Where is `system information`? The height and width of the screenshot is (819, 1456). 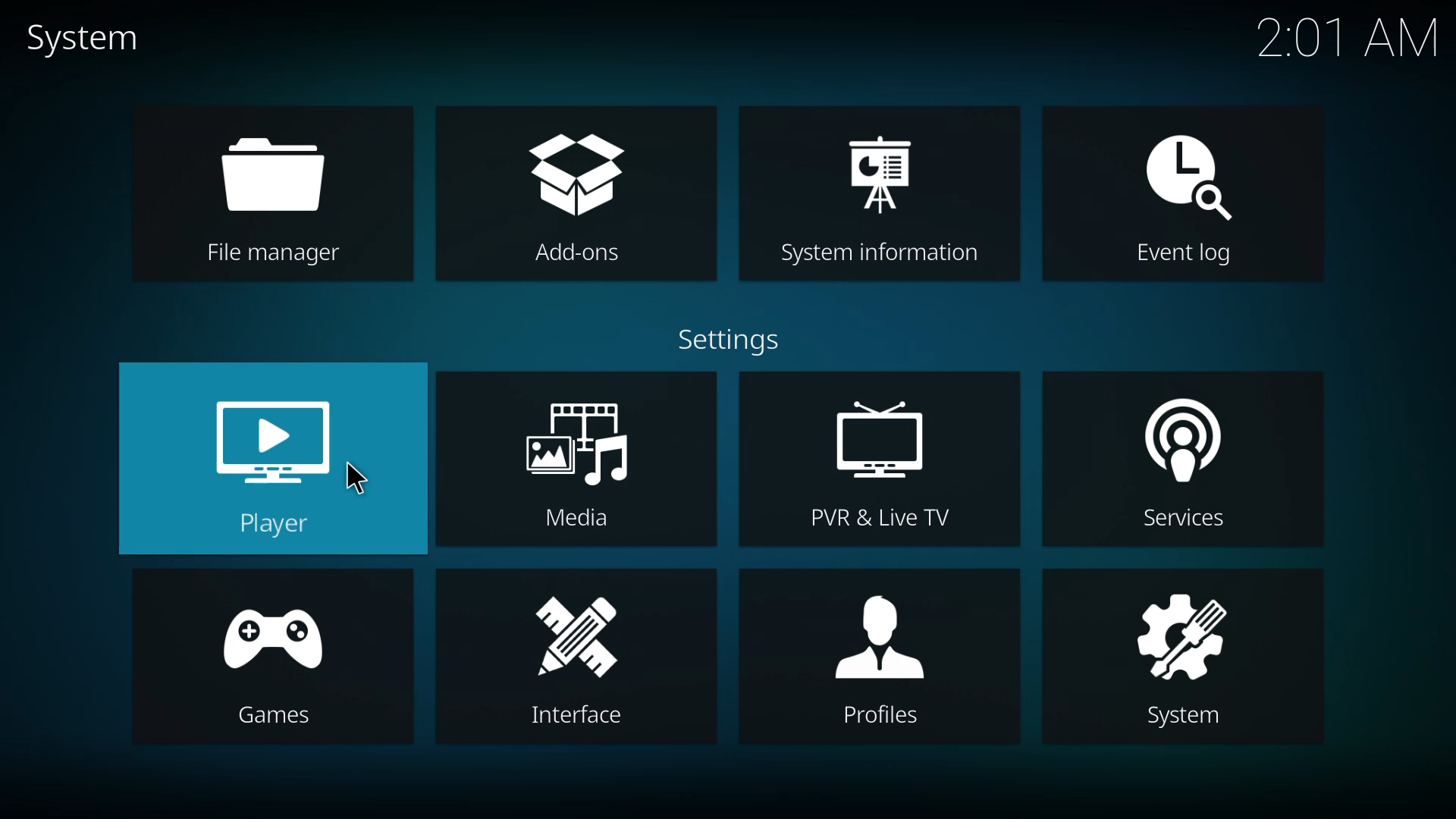
system information is located at coordinates (886, 190).